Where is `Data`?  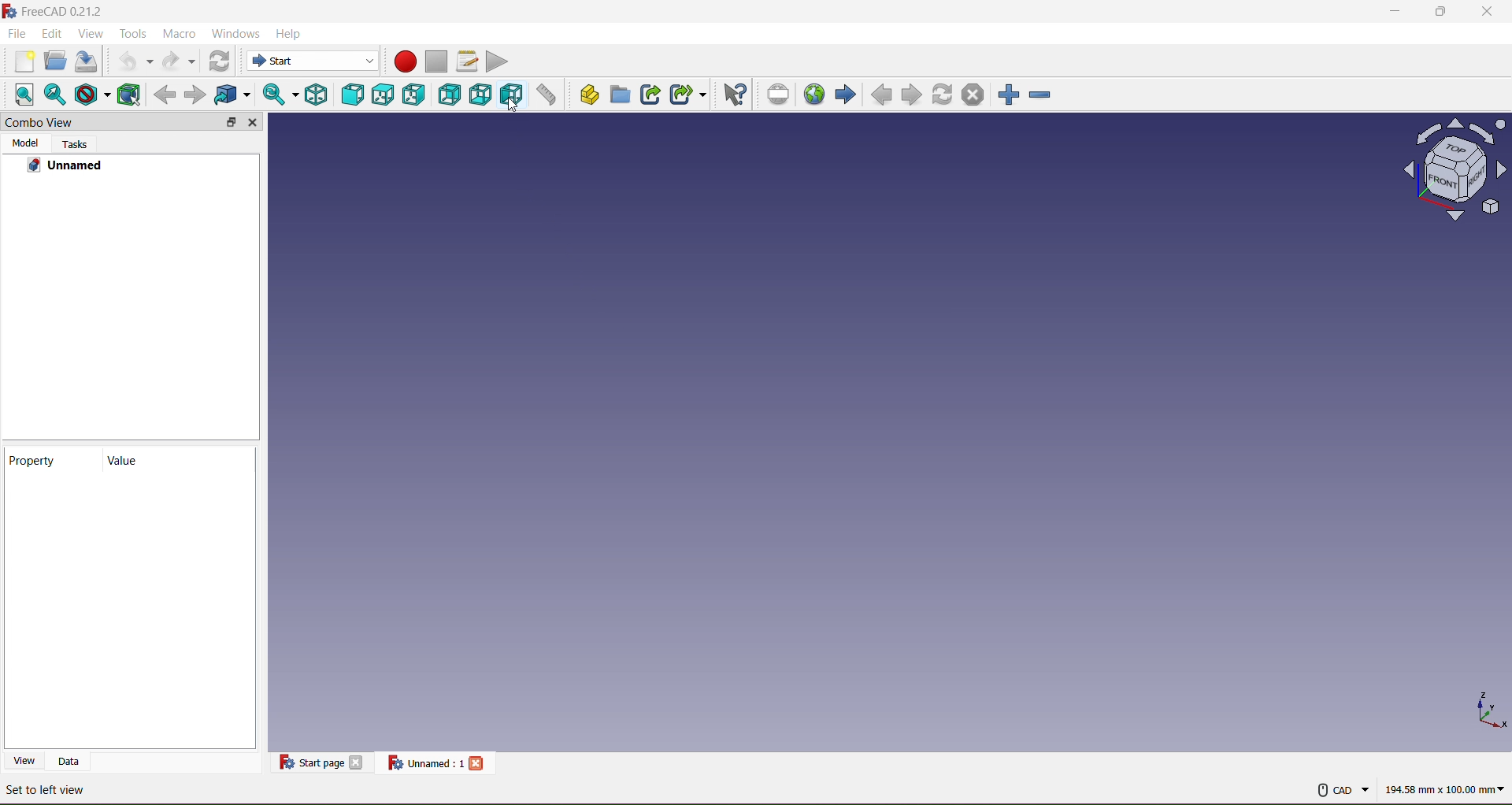
Data is located at coordinates (69, 760).